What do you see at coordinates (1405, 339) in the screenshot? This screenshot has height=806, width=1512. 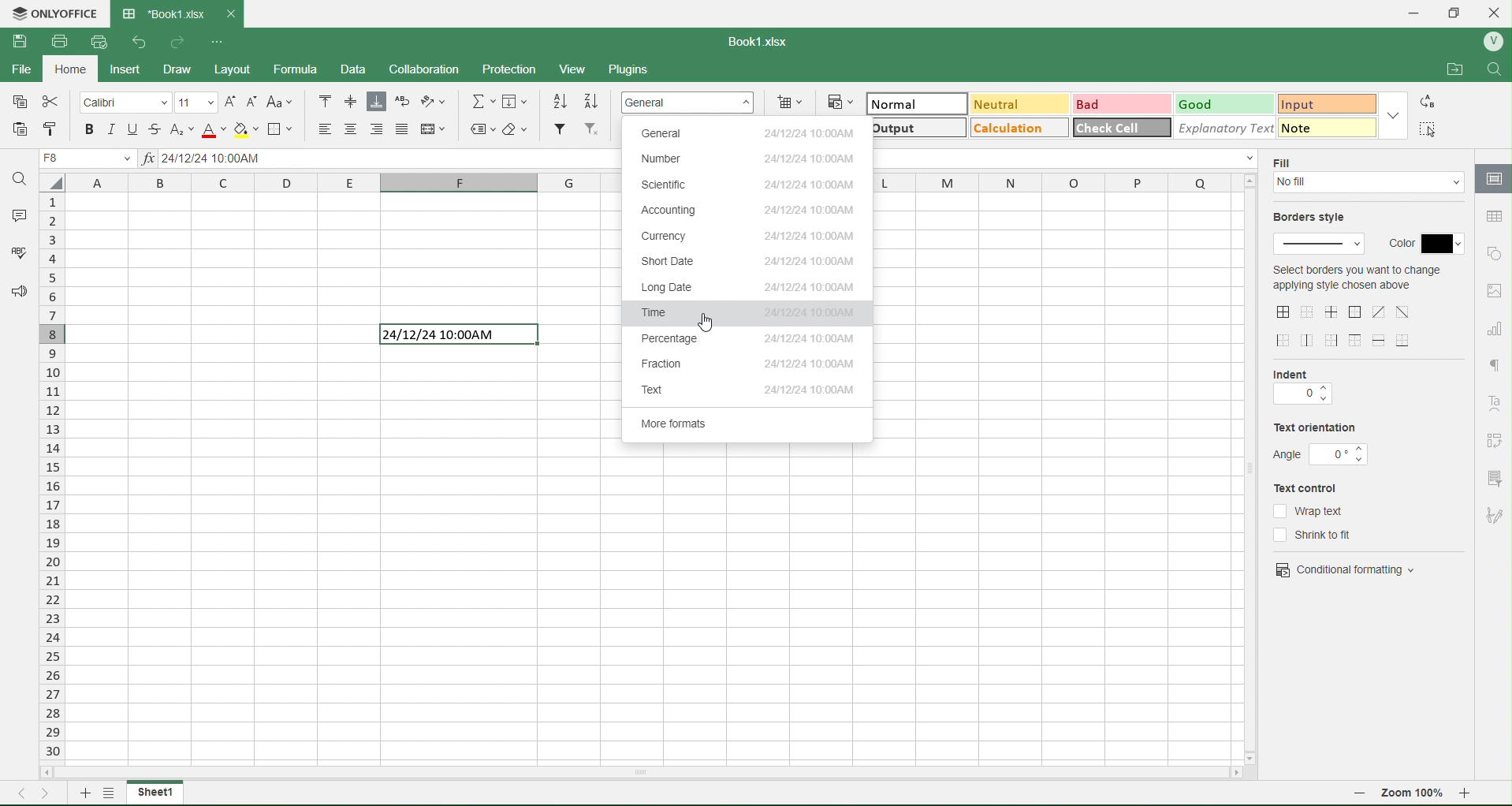 I see `bottom border` at bounding box center [1405, 339].